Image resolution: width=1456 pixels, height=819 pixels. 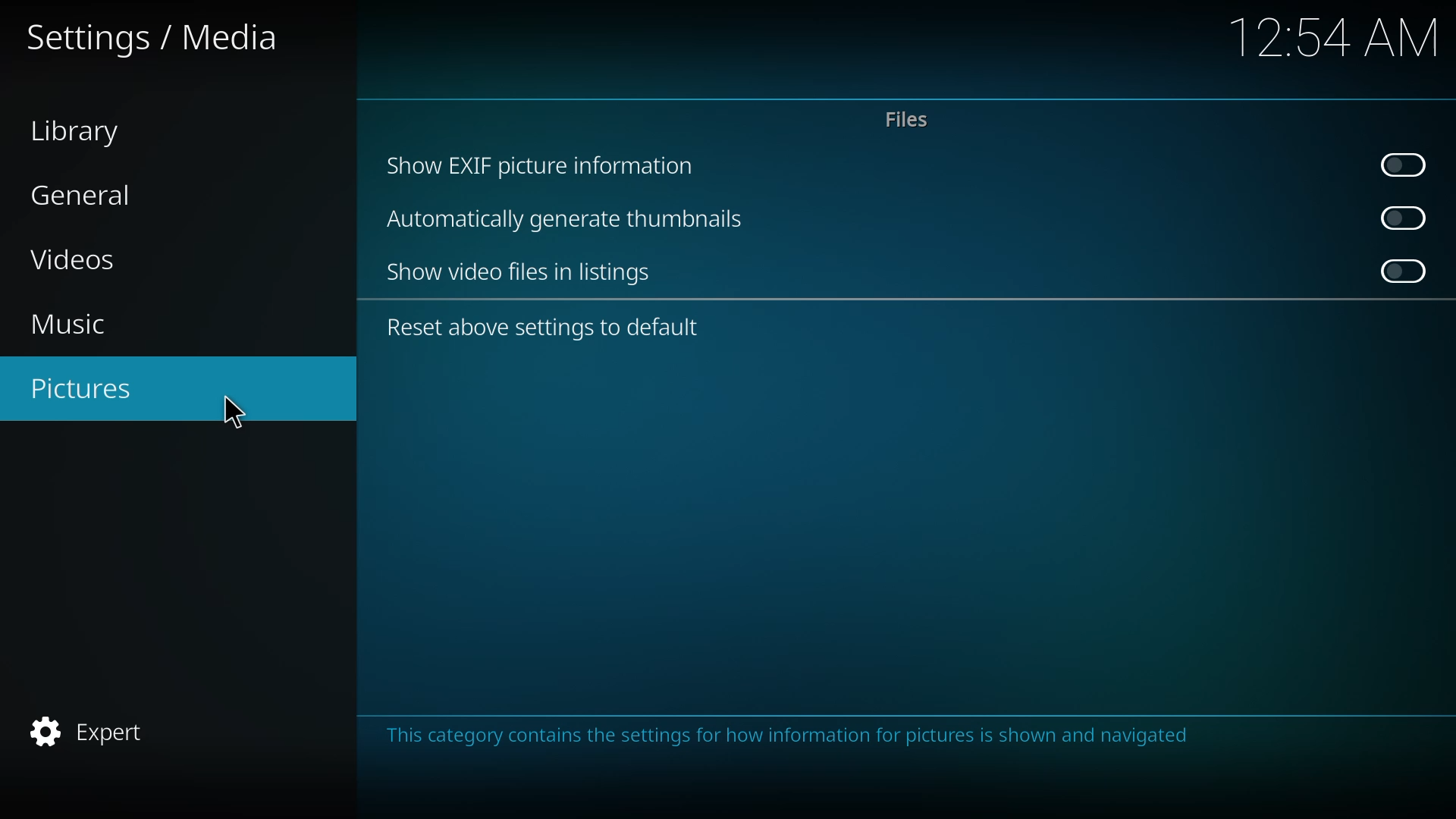 What do you see at coordinates (89, 195) in the screenshot?
I see `general` at bounding box center [89, 195].